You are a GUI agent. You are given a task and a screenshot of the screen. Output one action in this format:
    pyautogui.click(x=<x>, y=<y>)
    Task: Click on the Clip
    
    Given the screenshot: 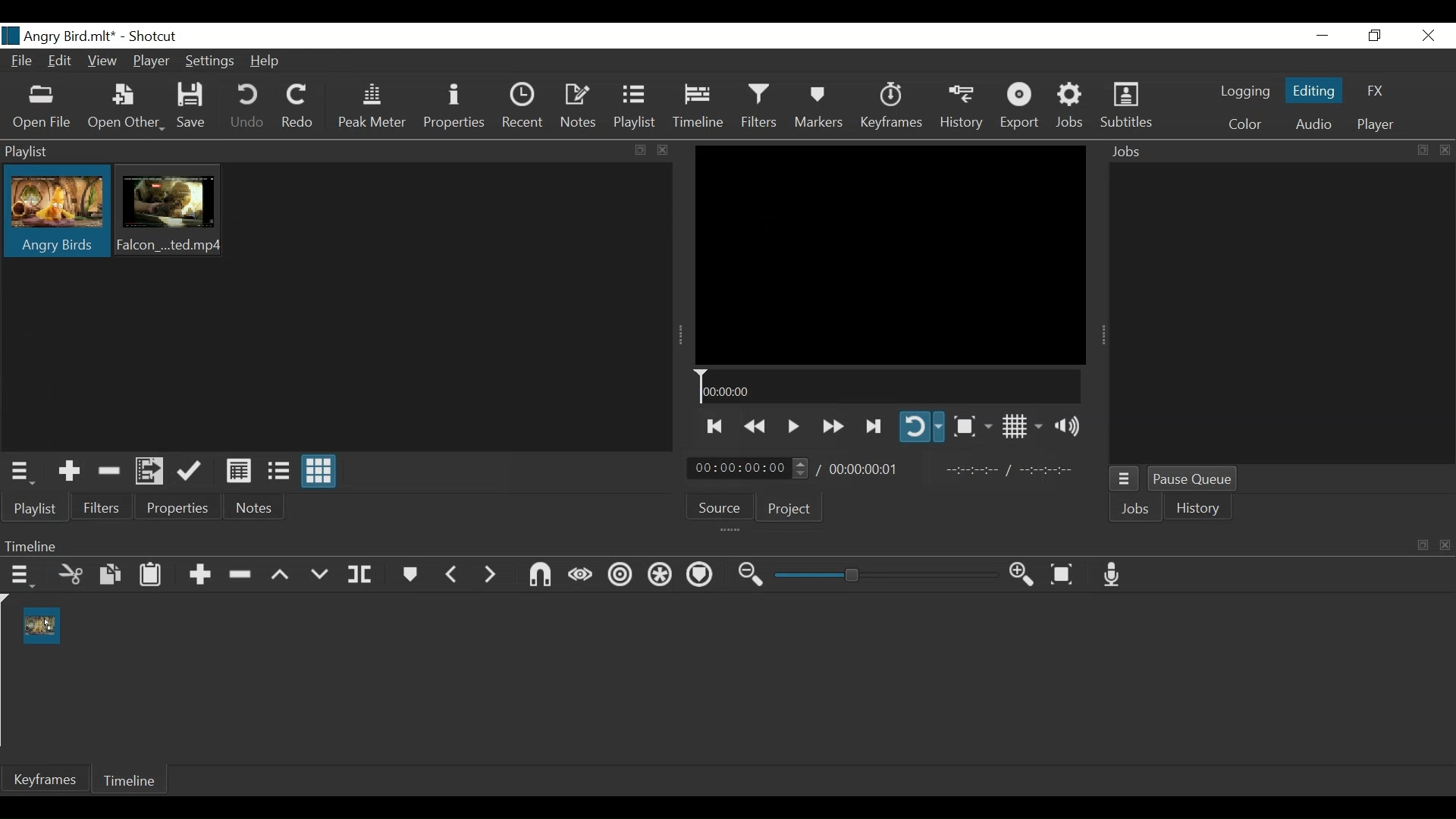 What is the action you would take?
    pyautogui.click(x=56, y=213)
    